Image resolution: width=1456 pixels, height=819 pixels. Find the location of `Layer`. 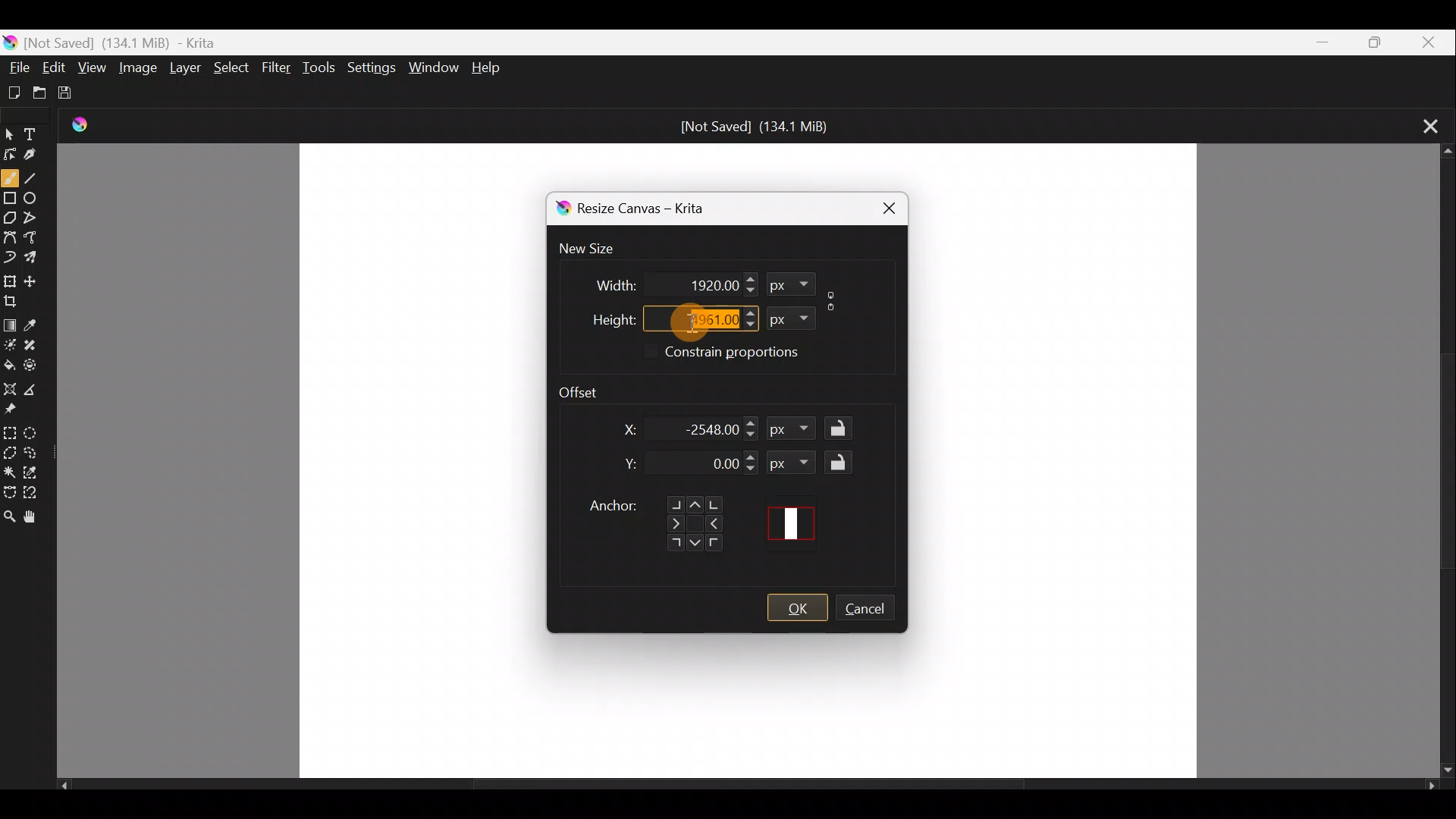

Layer is located at coordinates (187, 71).